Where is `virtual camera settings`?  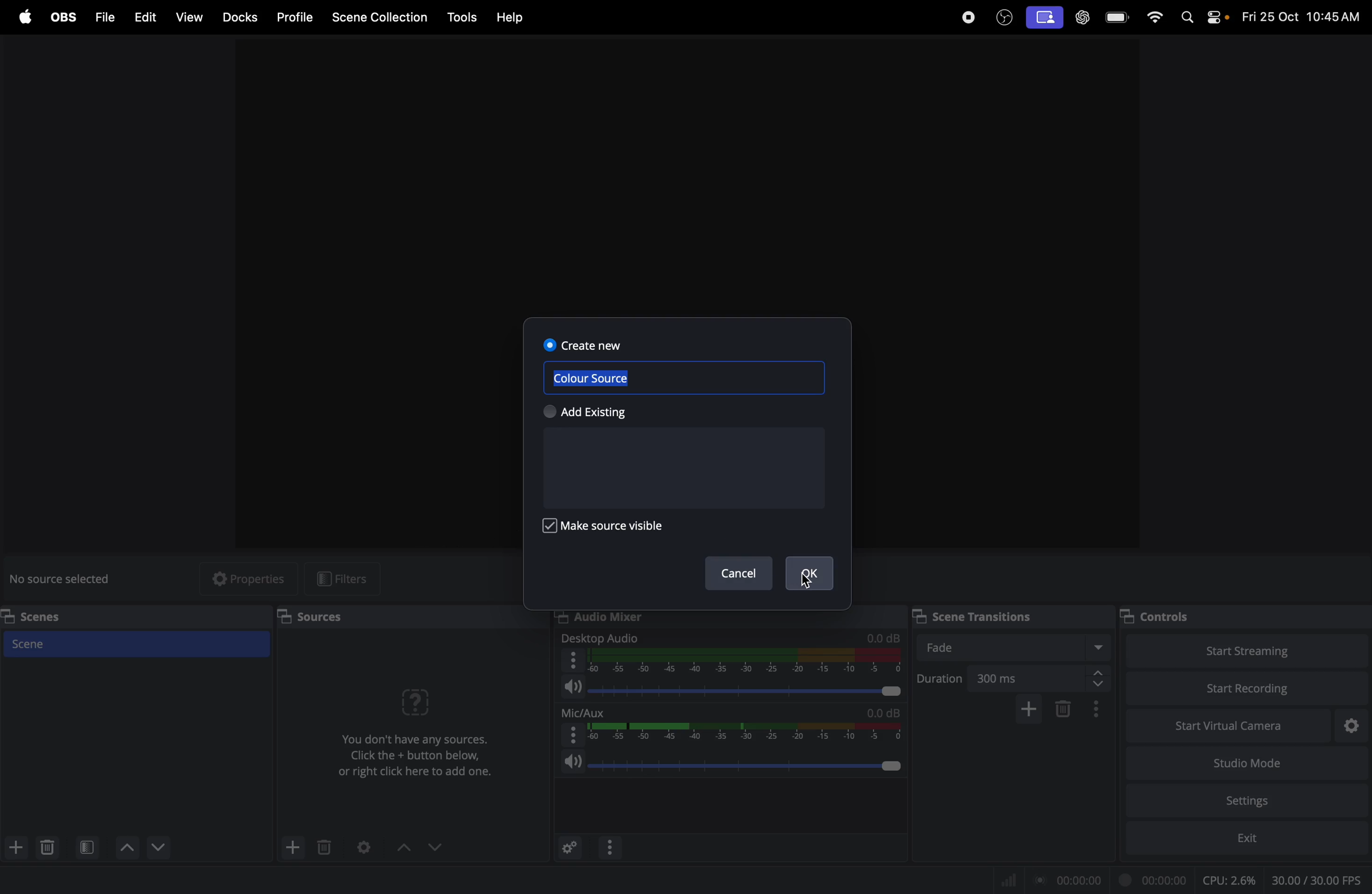
virtual camera settings is located at coordinates (1351, 724).